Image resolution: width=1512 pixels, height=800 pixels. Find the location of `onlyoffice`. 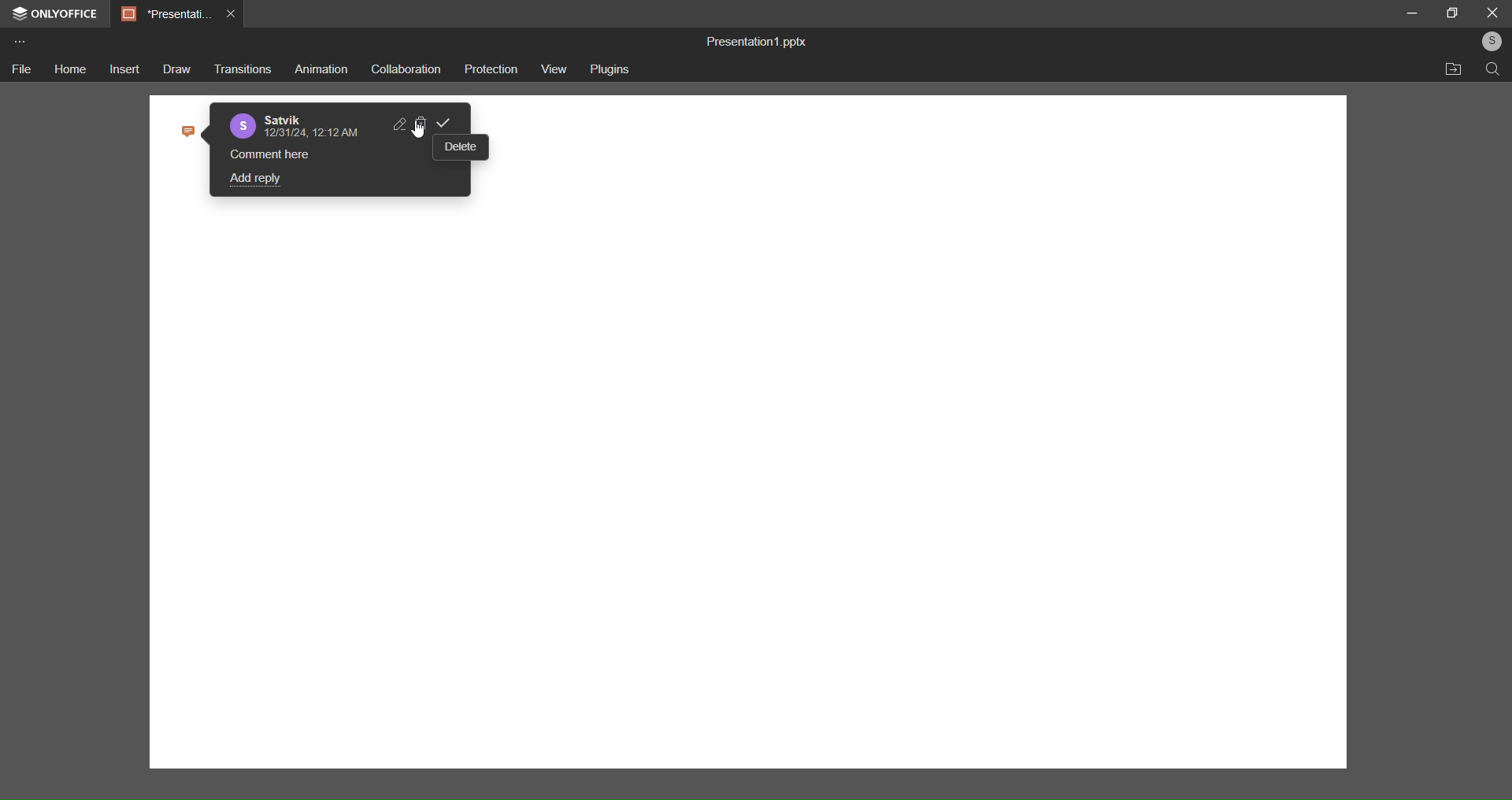

onlyoffice is located at coordinates (54, 13).